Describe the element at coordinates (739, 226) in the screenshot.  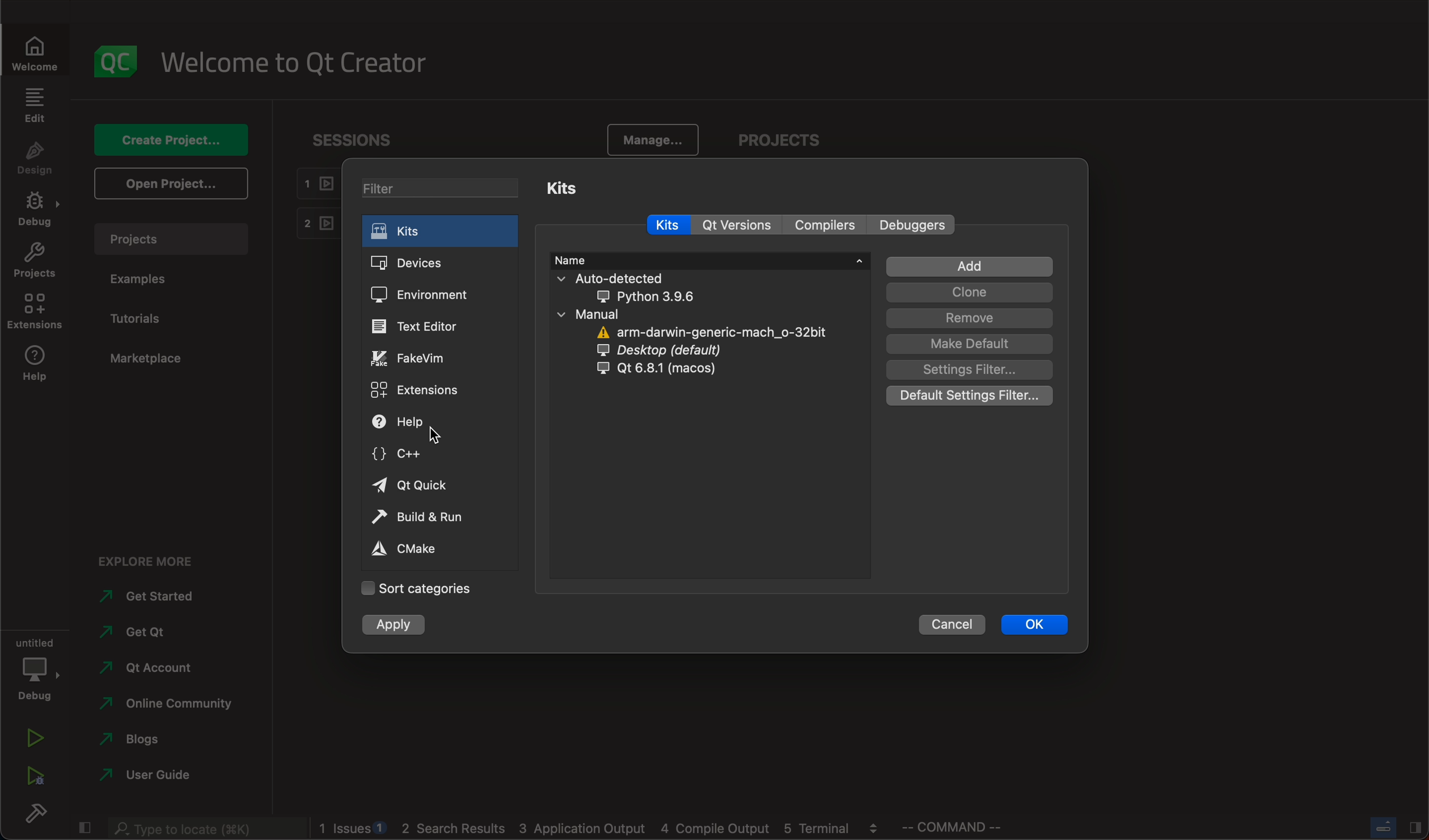
I see `qt` at that location.